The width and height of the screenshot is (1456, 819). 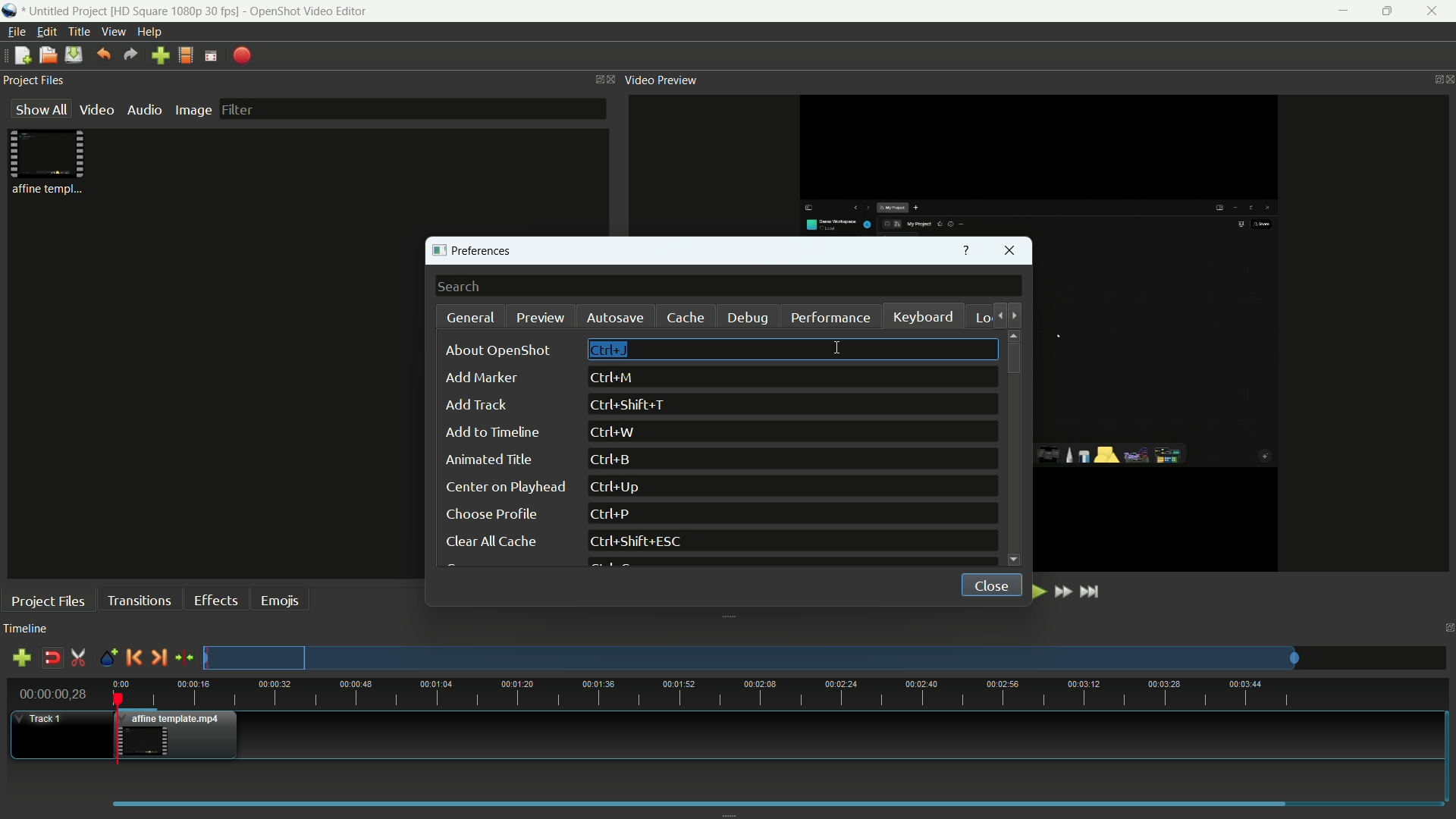 I want to click on full screen, so click(x=211, y=55).